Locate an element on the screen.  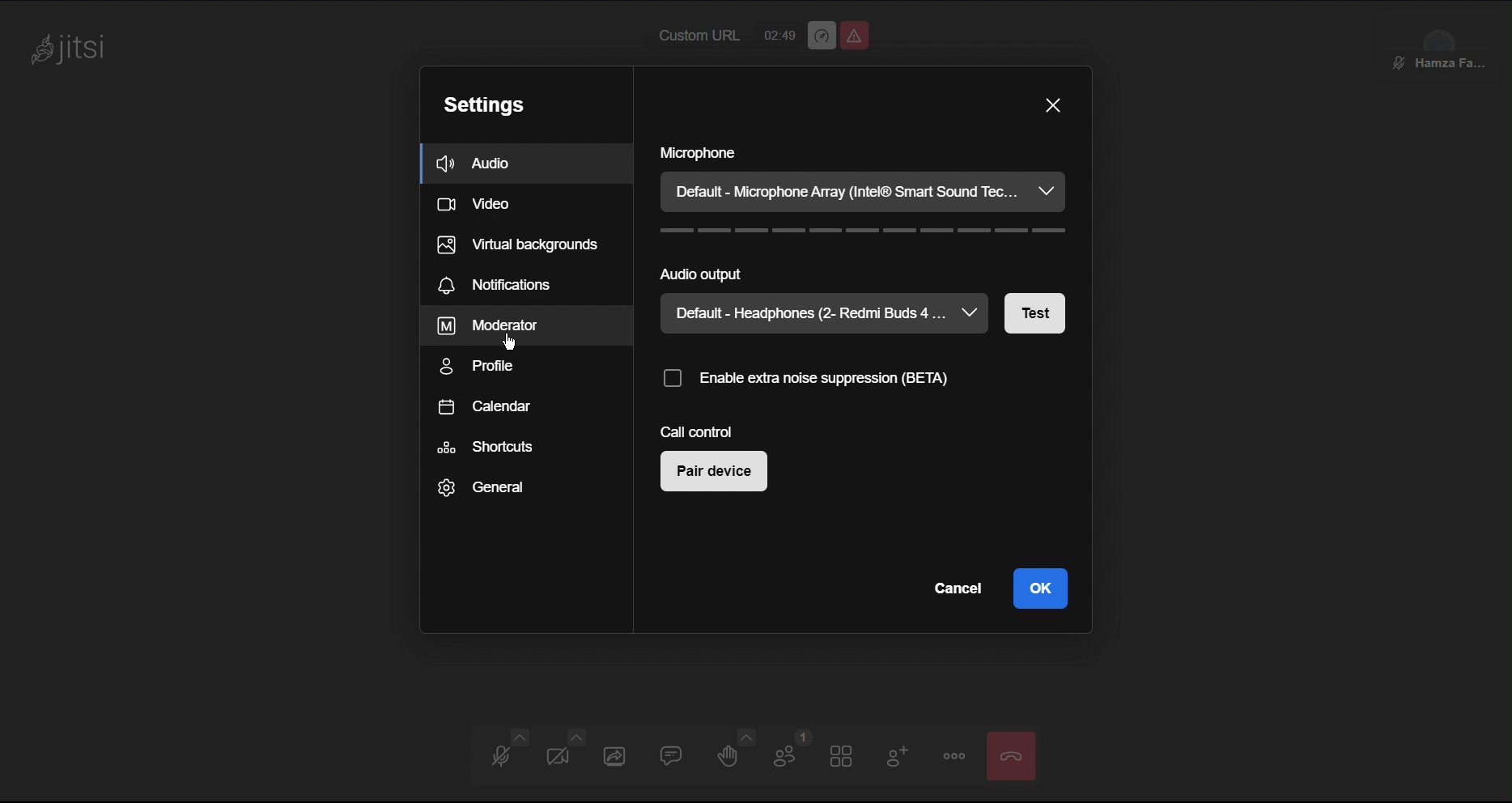
Microphone is located at coordinates (864, 153).